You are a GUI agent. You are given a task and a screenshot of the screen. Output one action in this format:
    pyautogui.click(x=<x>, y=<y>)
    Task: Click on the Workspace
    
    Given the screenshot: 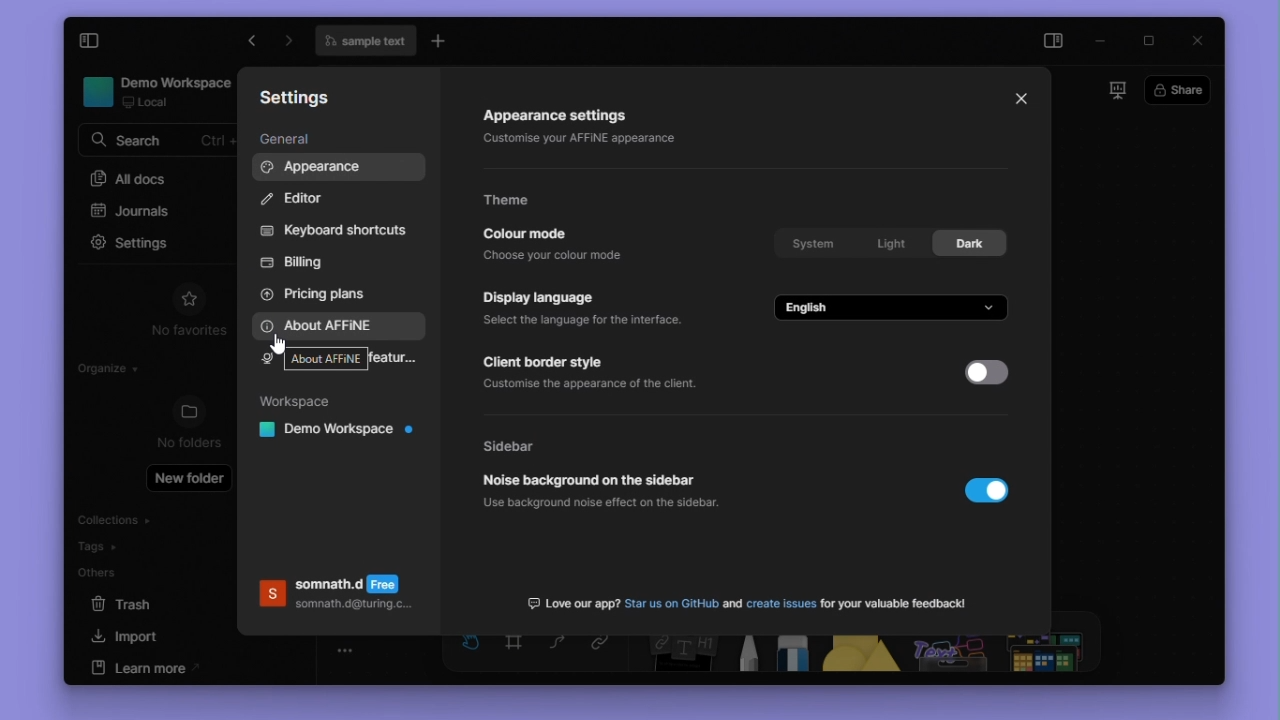 What is the action you would take?
    pyautogui.click(x=301, y=402)
    